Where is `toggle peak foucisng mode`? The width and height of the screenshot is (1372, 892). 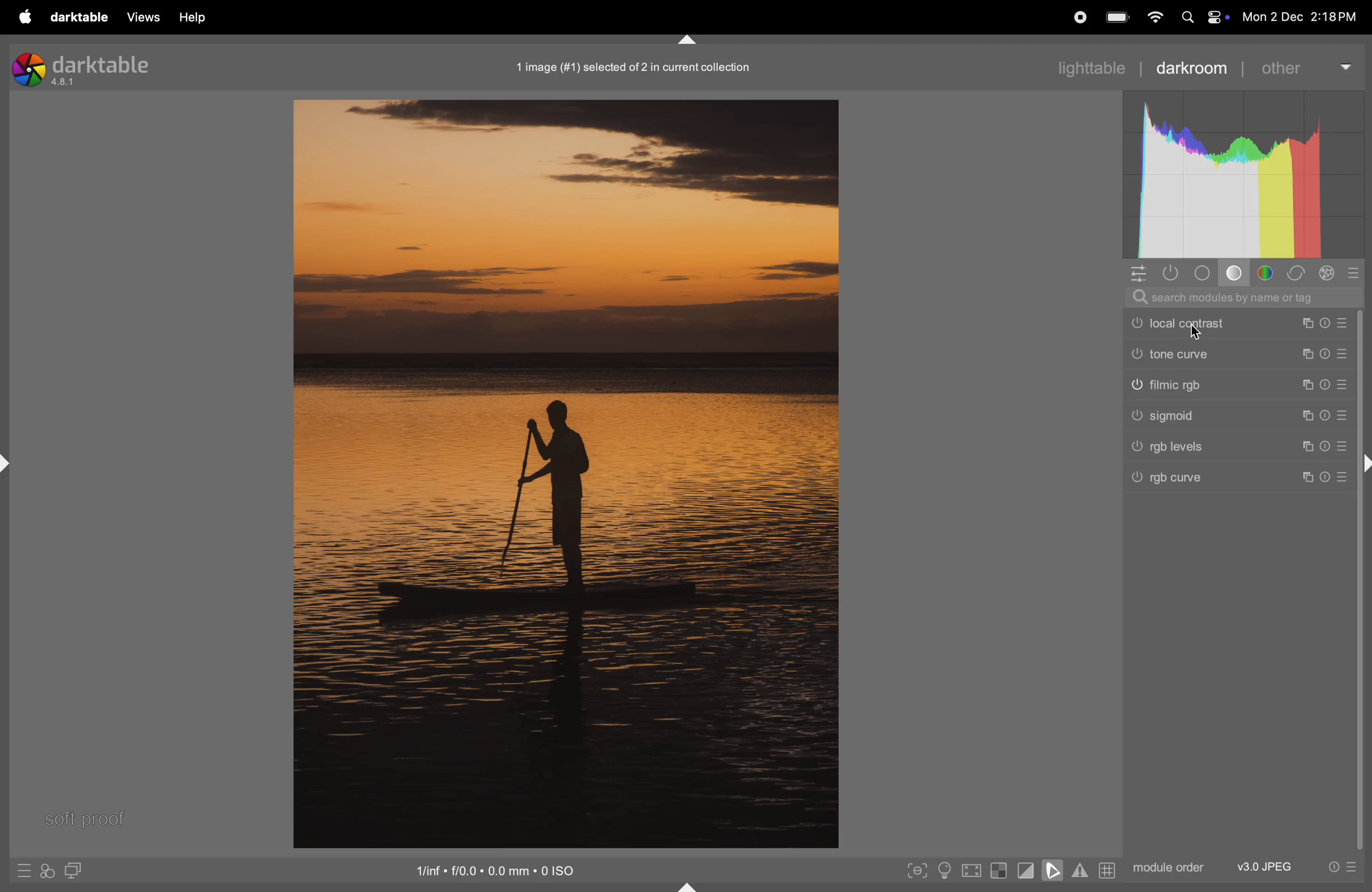
toggle peak foucisng mode is located at coordinates (916, 870).